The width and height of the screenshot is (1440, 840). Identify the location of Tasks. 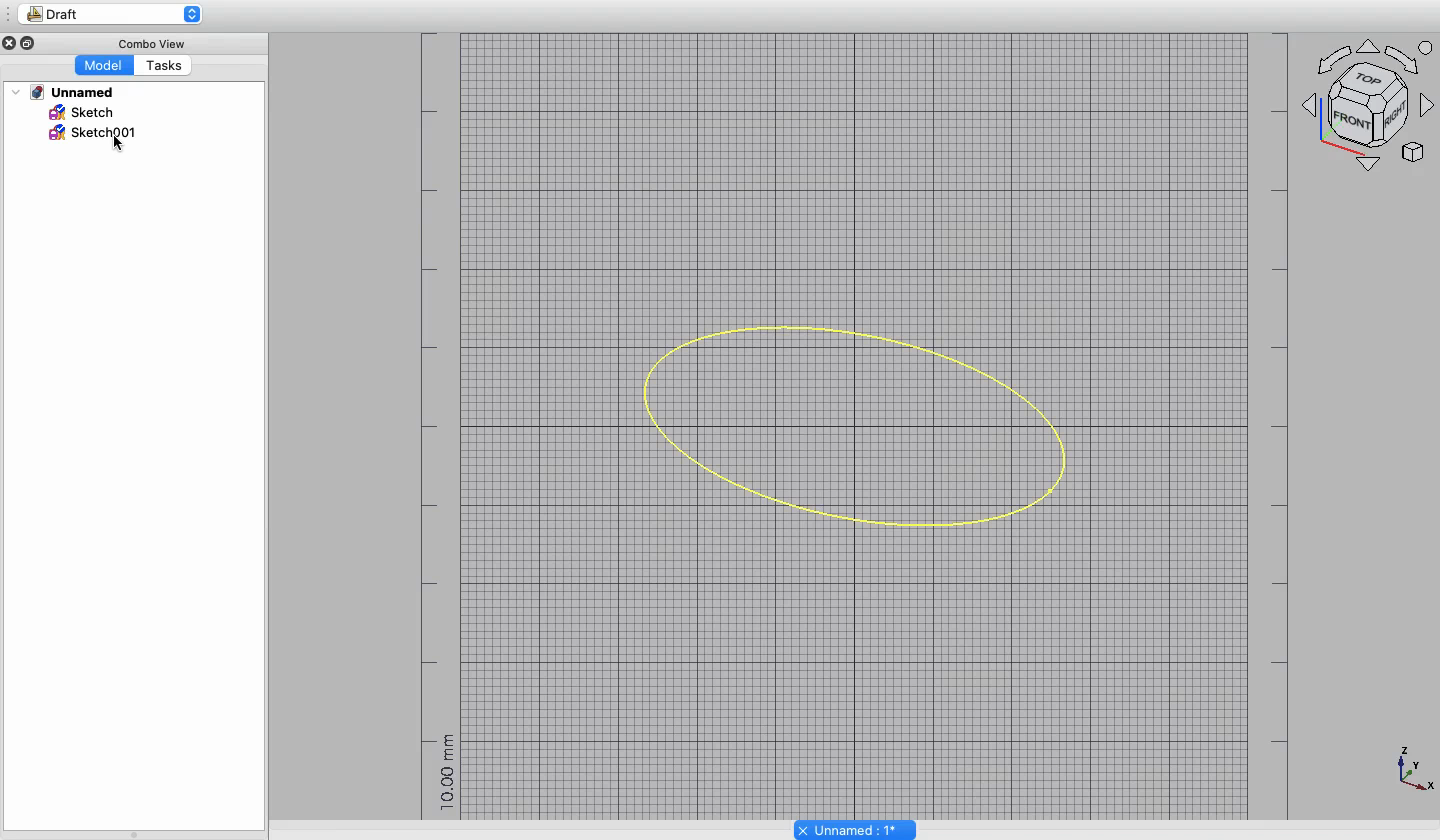
(164, 65).